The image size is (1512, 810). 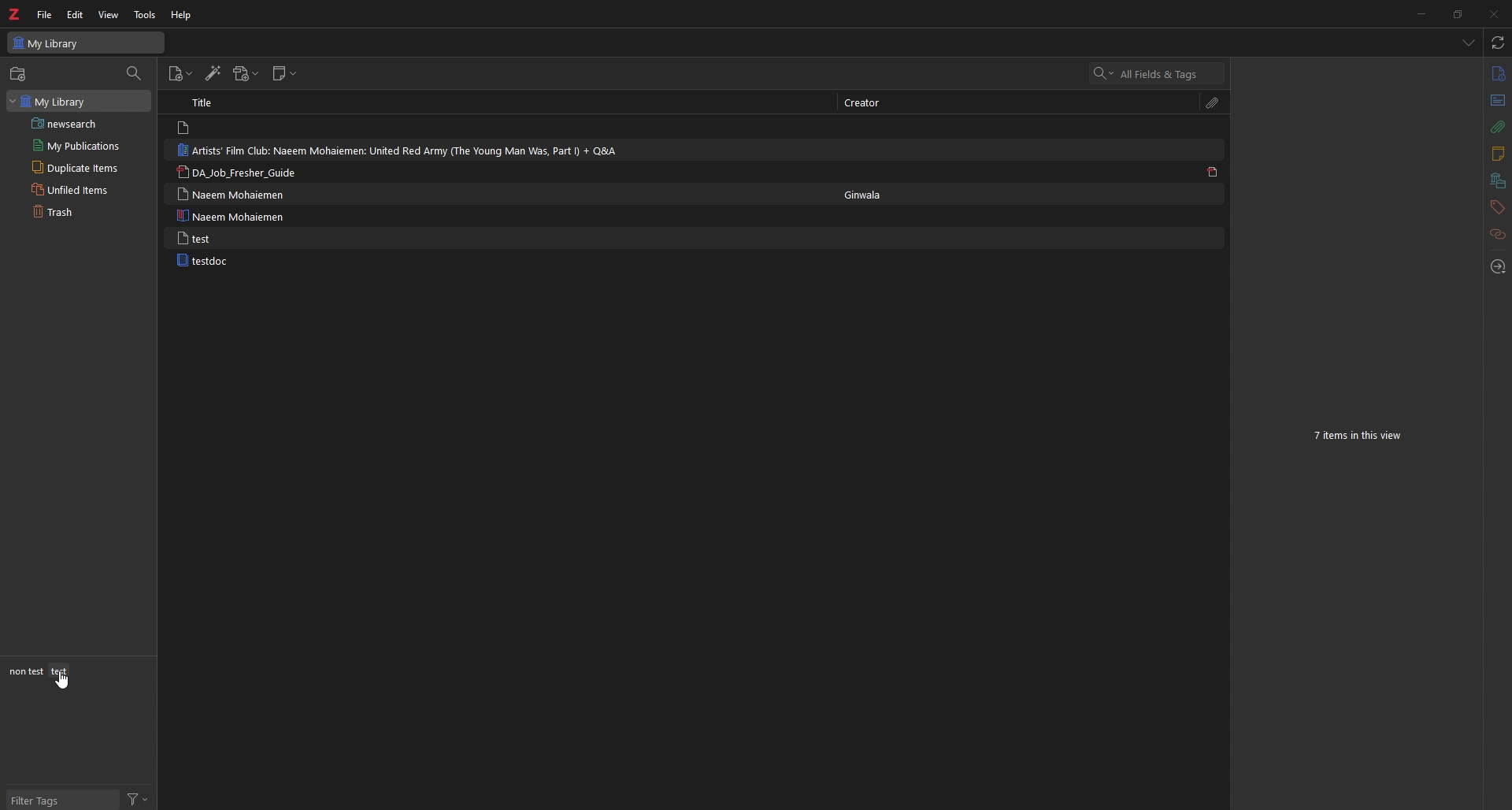 What do you see at coordinates (1468, 42) in the screenshot?
I see `list all items` at bounding box center [1468, 42].